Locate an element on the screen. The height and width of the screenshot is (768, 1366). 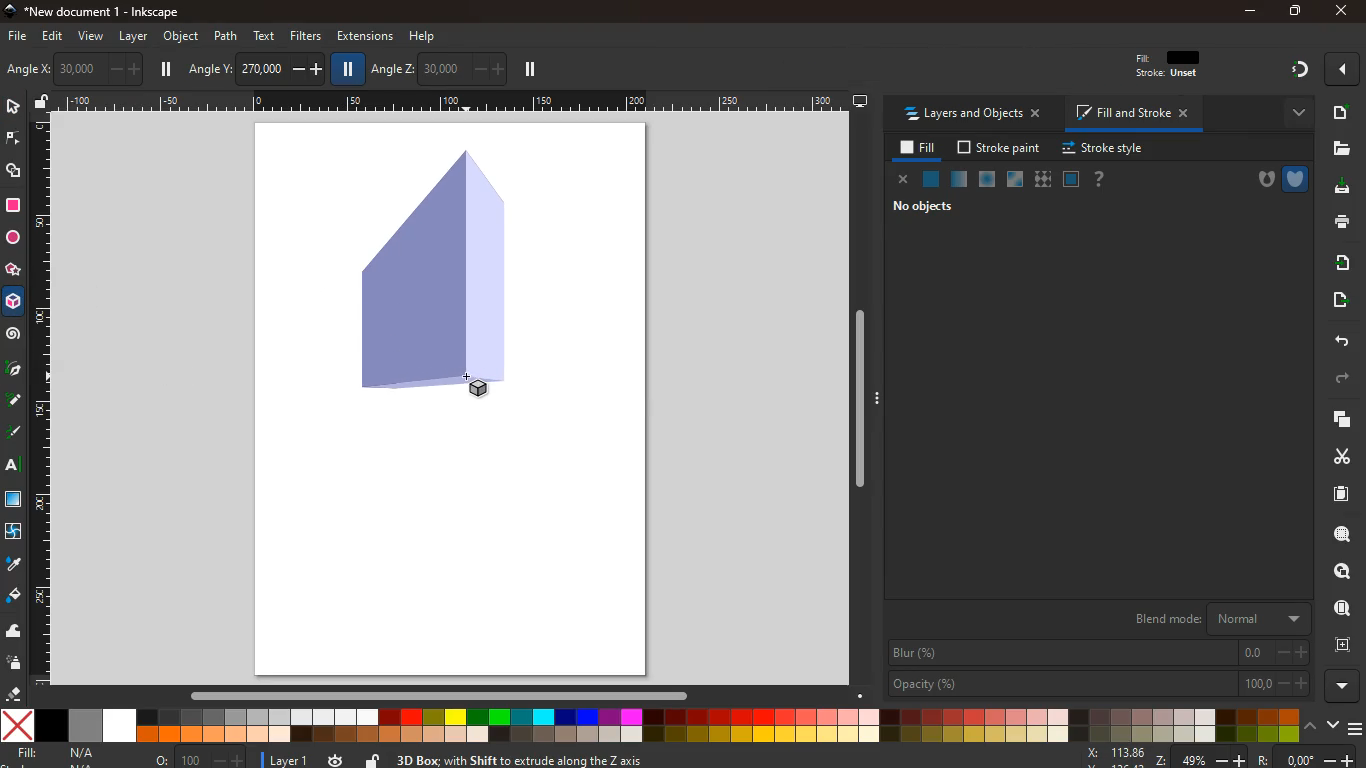
ice is located at coordinates (984, 179).